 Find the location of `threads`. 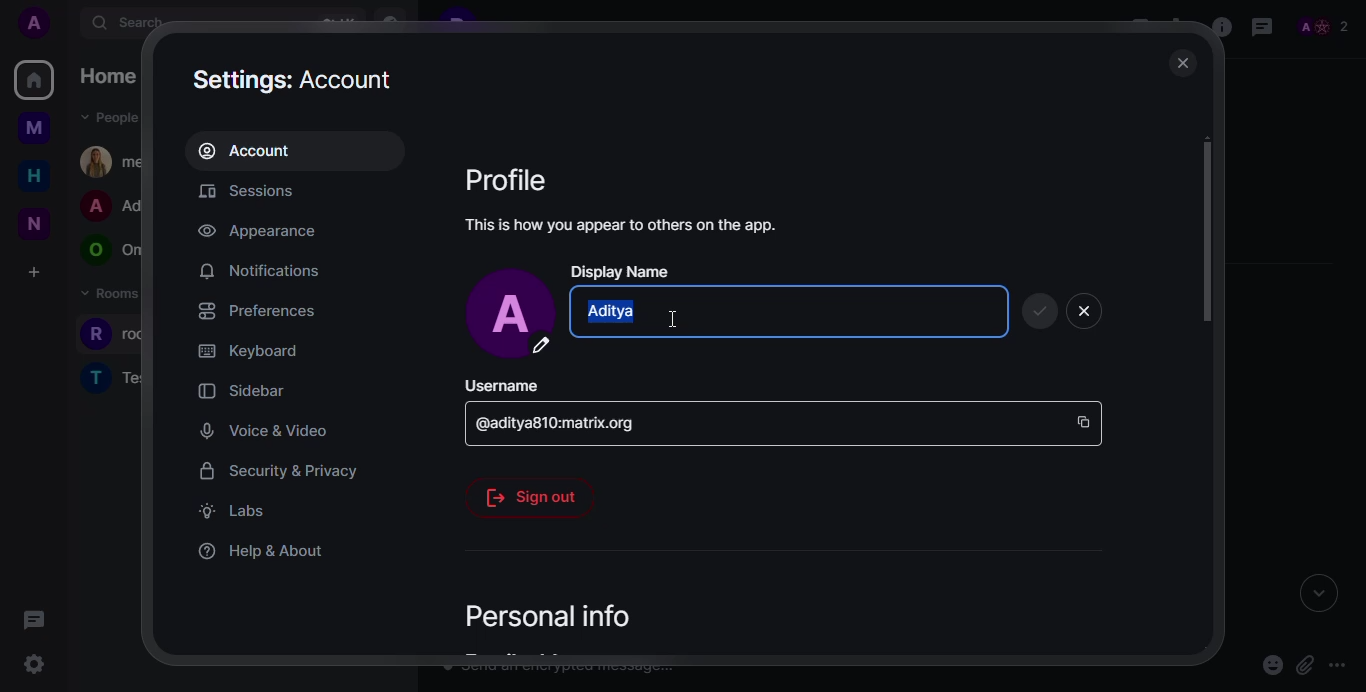

threads is located at coordinates (1262, 27).